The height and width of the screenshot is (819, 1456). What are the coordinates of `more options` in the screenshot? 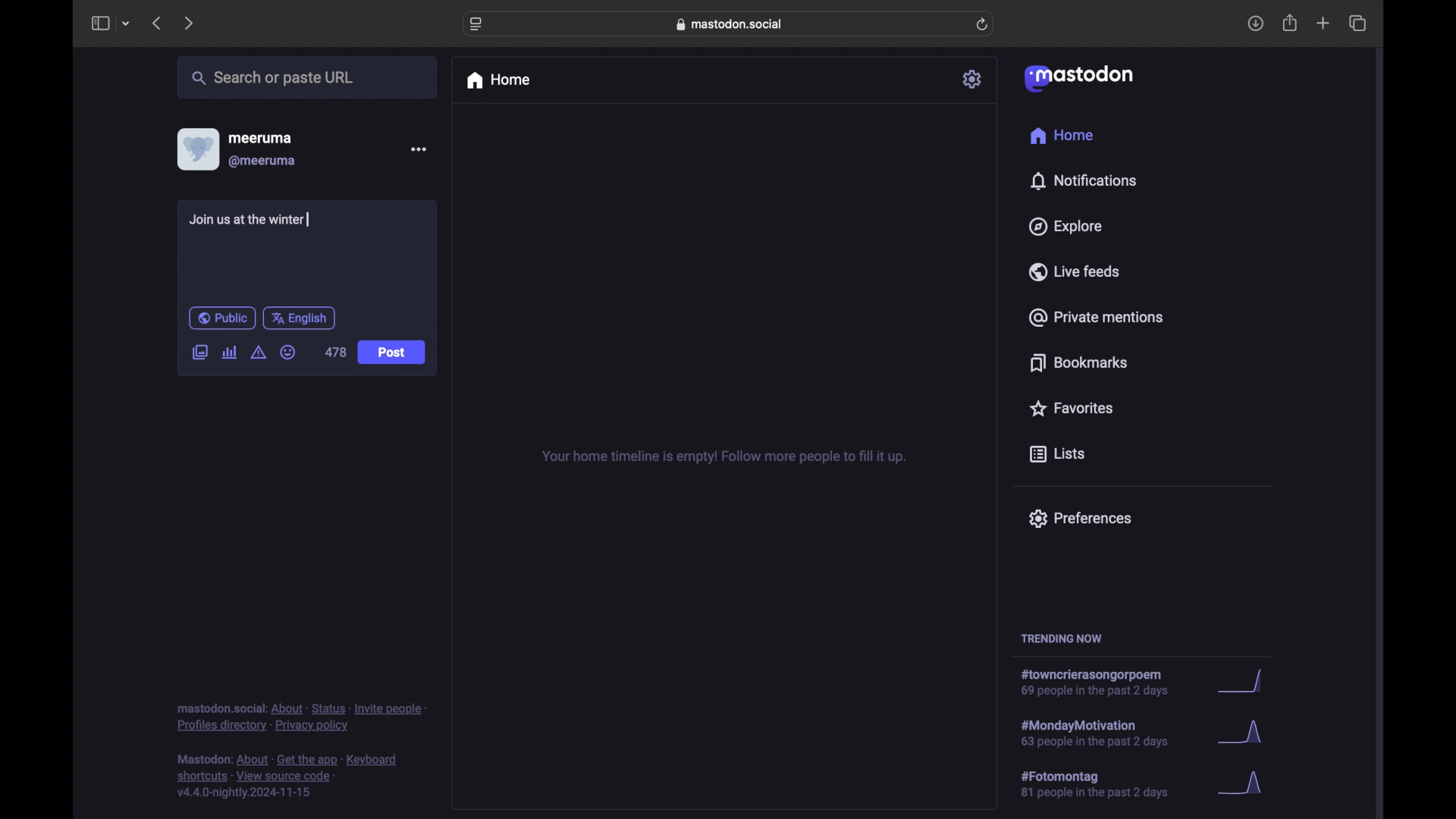 It's located at (419, 149).